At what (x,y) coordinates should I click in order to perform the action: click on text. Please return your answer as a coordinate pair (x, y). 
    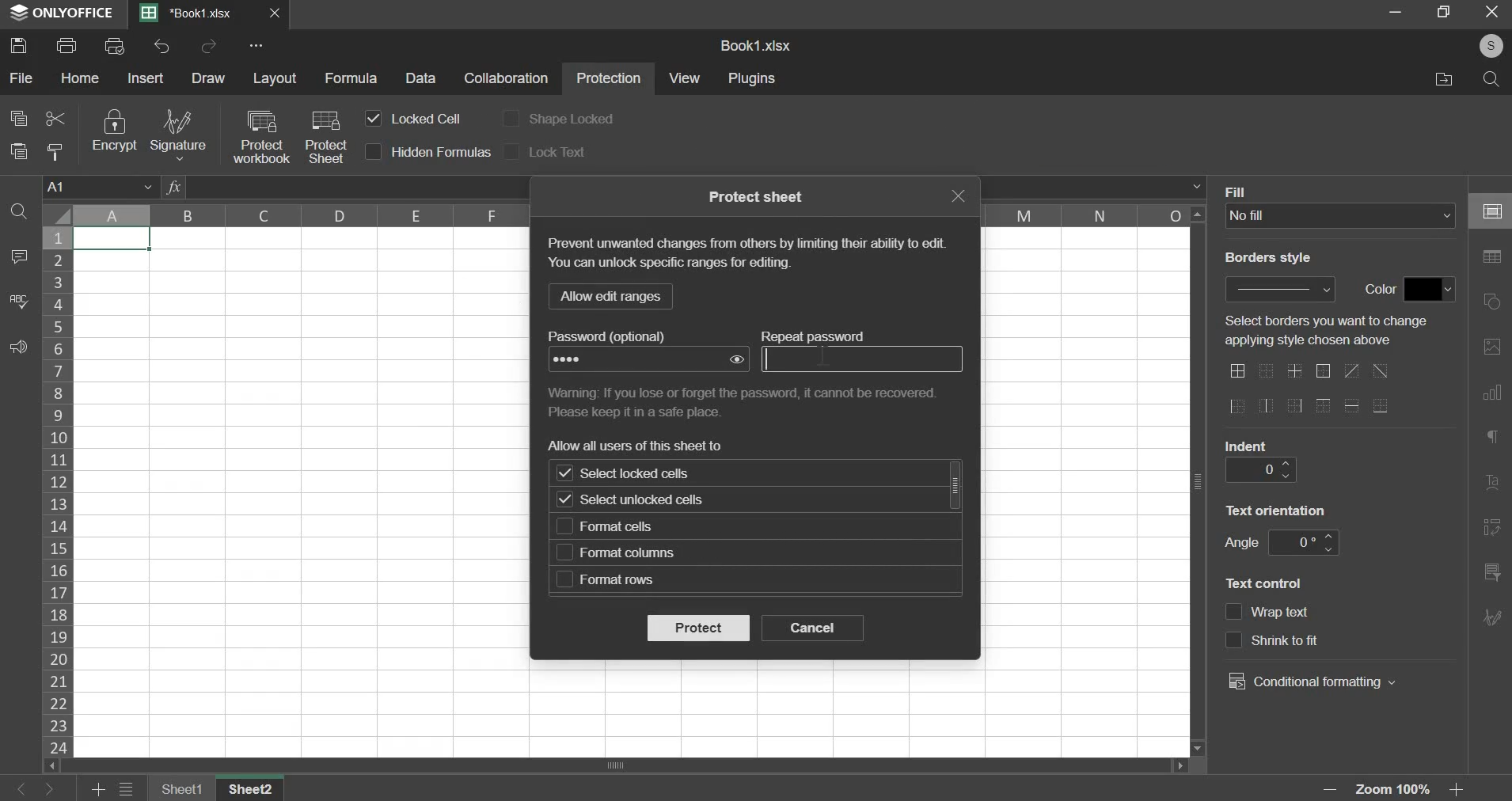
    Looking at the image, I should click on (639, 445).